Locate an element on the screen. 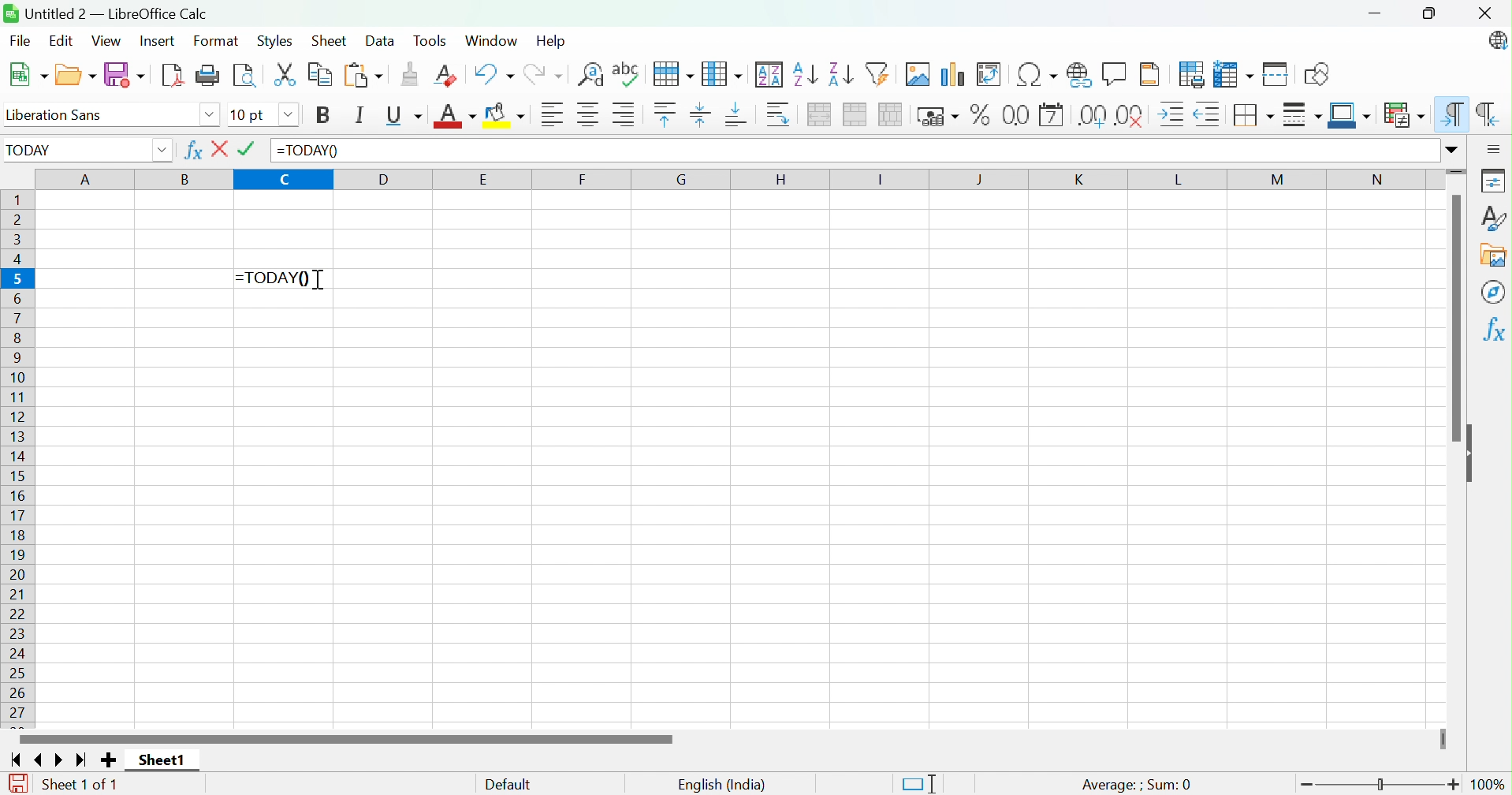 This screenshot has height=795, width=1512. Untitled 2 - LibreOffice Calc is located at coordinates (106, 13).